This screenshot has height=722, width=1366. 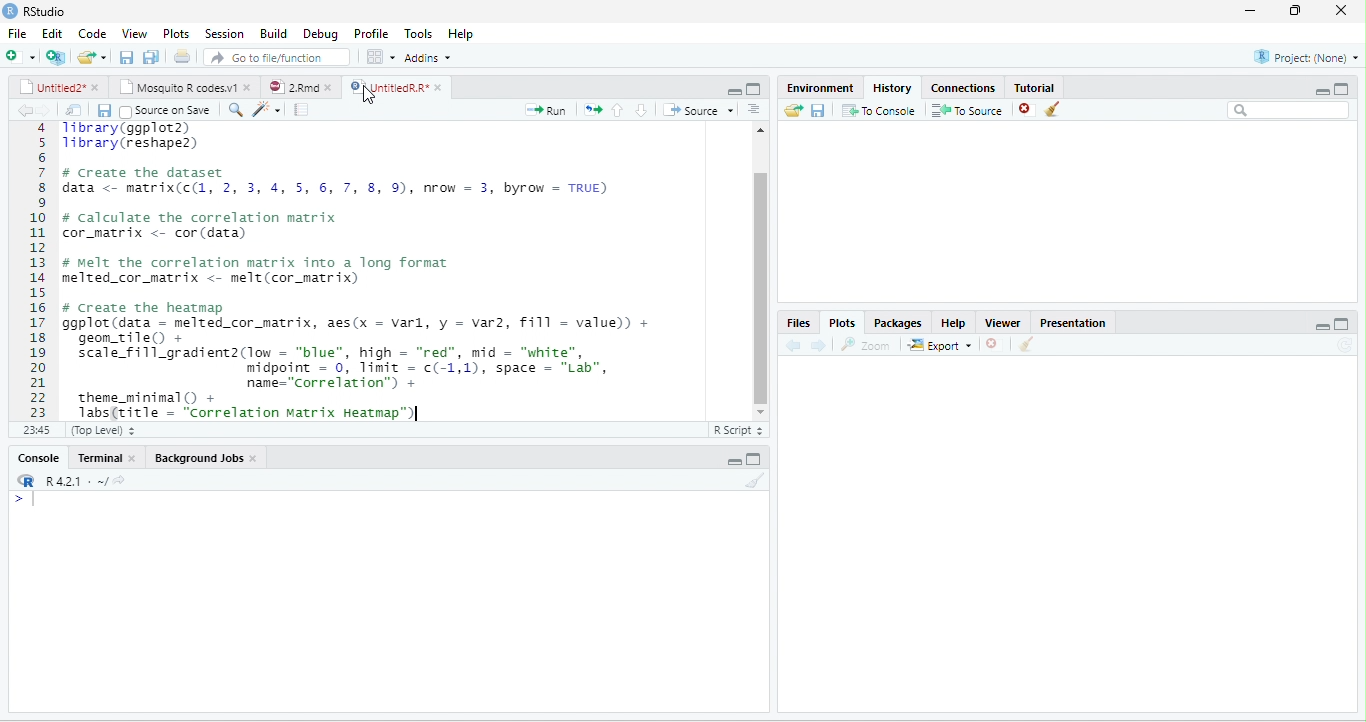 What do you see at coordinates (35, 429) in the screenshot?
I see `1>1` at bounding box center [35, 429].